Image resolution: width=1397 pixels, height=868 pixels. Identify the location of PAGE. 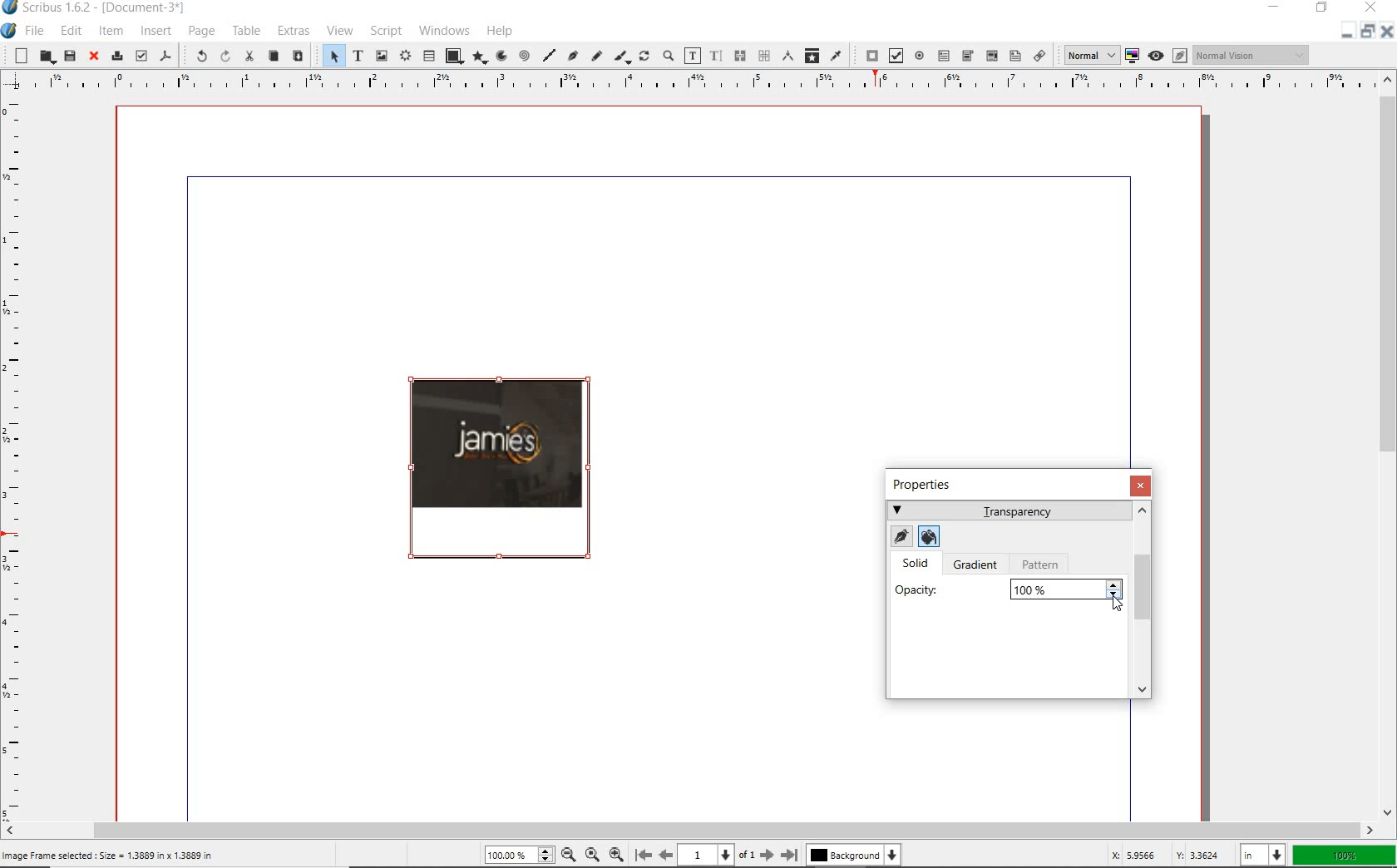
(201, 32).